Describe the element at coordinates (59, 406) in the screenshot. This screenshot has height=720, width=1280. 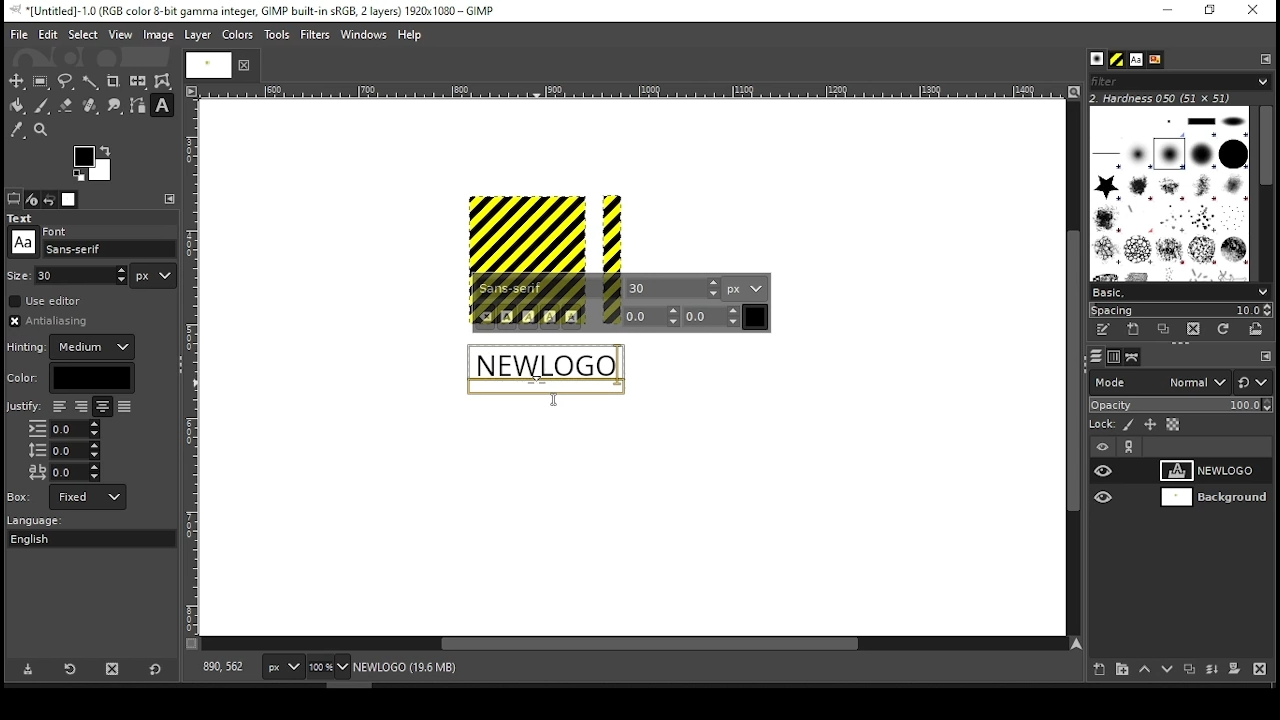
I see `justify left` at that location.